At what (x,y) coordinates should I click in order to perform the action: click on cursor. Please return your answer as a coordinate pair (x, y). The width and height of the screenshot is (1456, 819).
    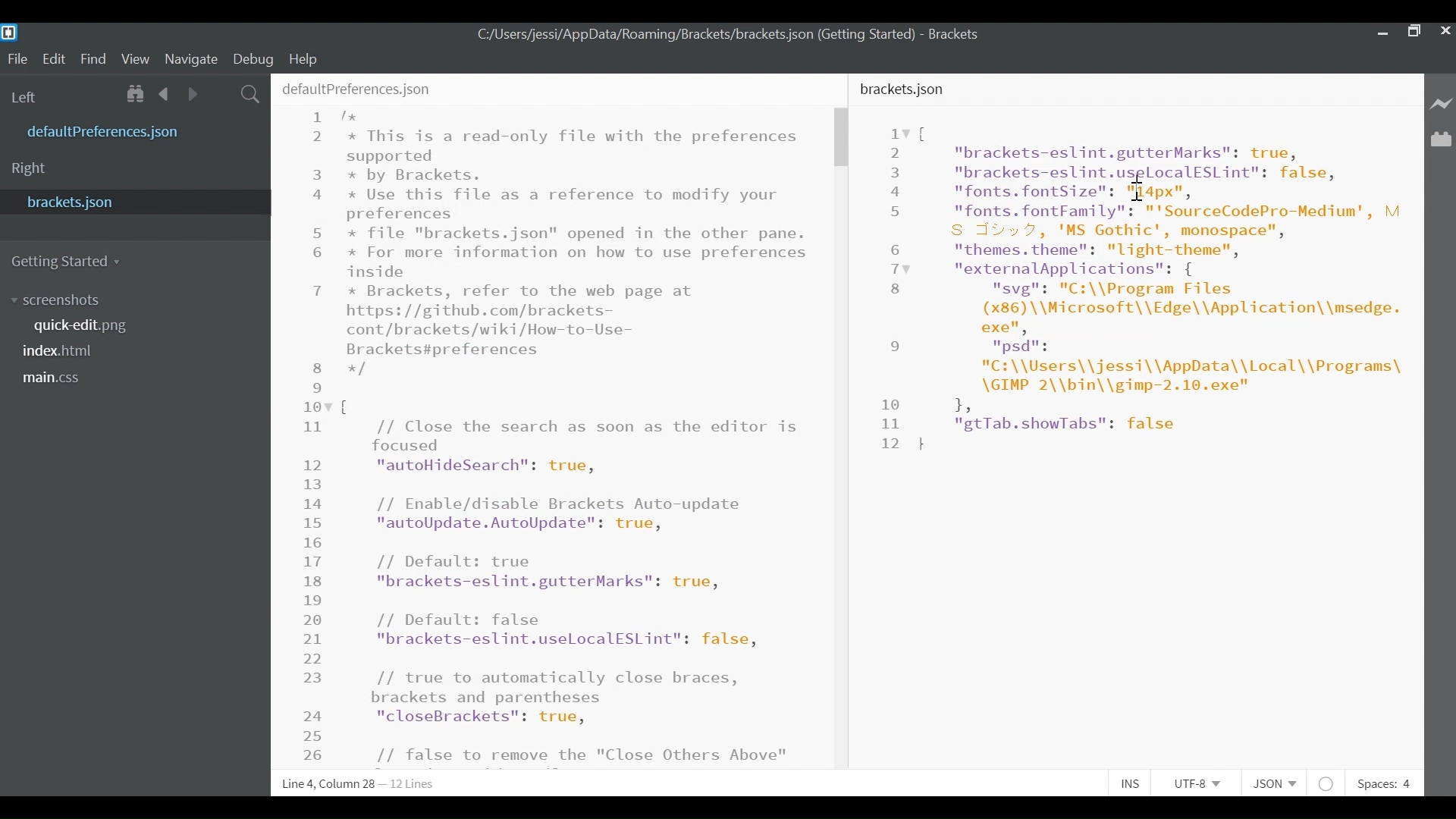
    Looking at the image, I should click on (1141, 191).